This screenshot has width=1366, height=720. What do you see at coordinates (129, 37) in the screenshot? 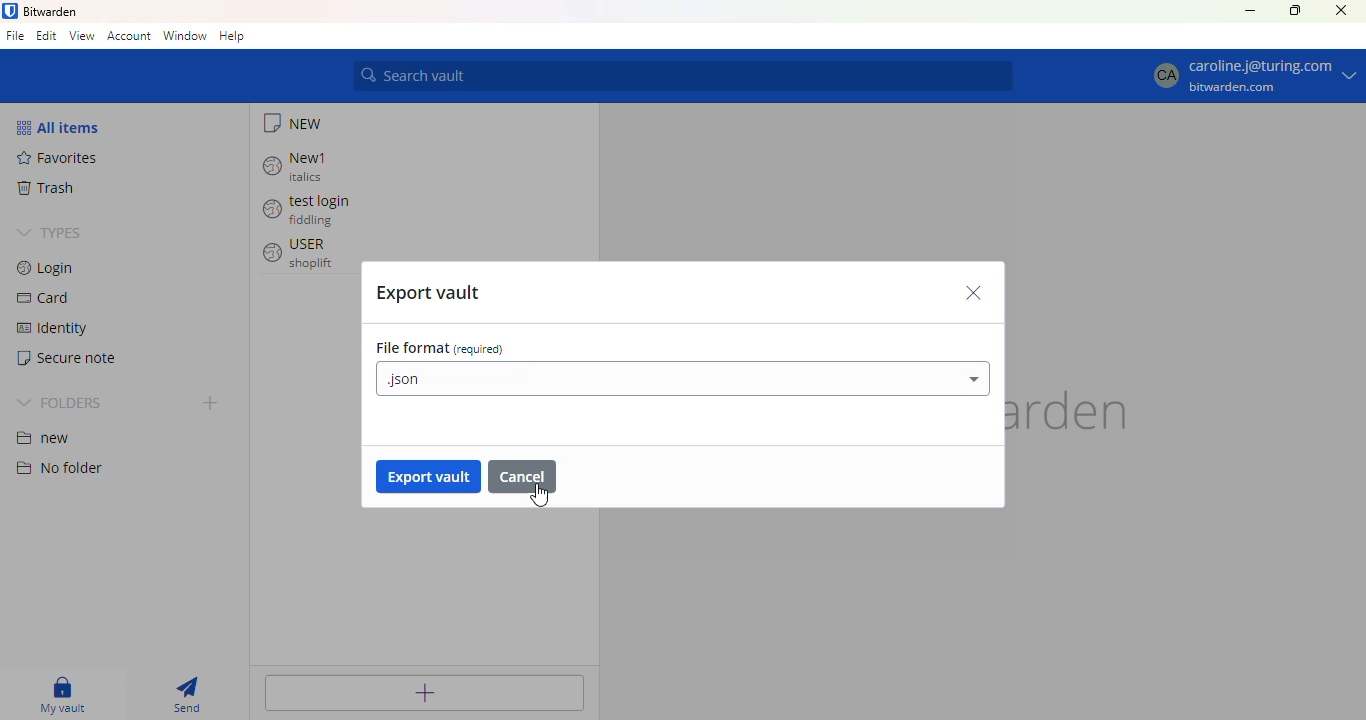
I see `account` at bounding box center [129, 37].